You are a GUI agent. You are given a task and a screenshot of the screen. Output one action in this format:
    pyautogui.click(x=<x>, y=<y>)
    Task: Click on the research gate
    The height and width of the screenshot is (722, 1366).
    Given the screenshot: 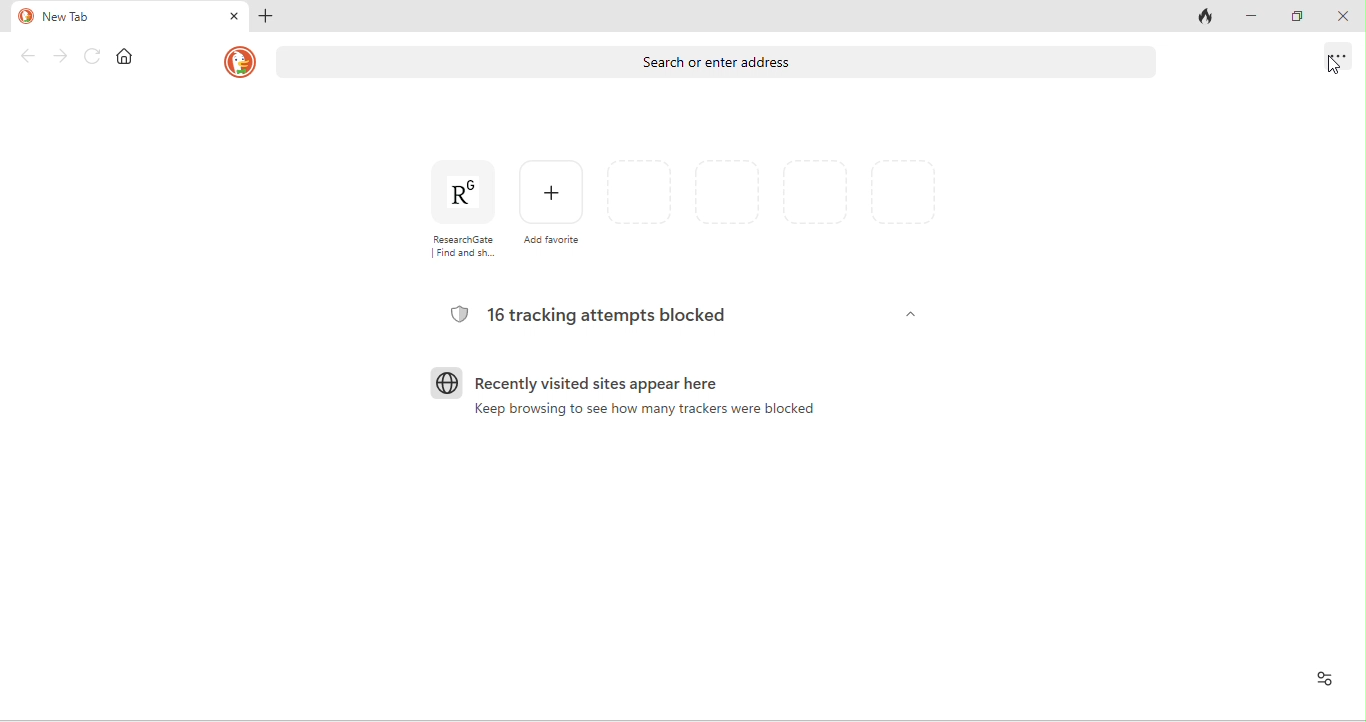 What is the action you would take?
    pyautogui.click(x=457, y=209)
    